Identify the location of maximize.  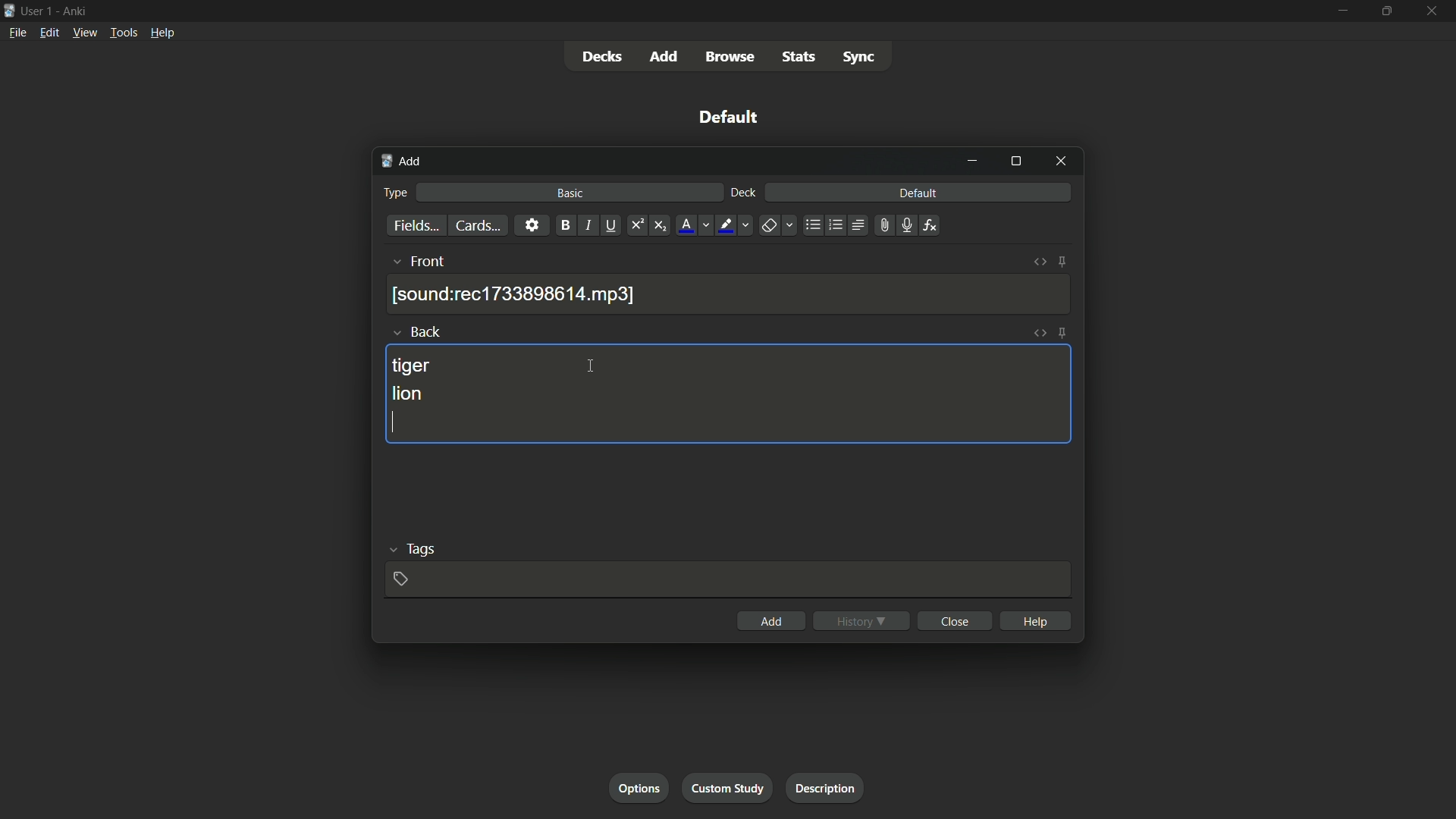
(1015, 162).